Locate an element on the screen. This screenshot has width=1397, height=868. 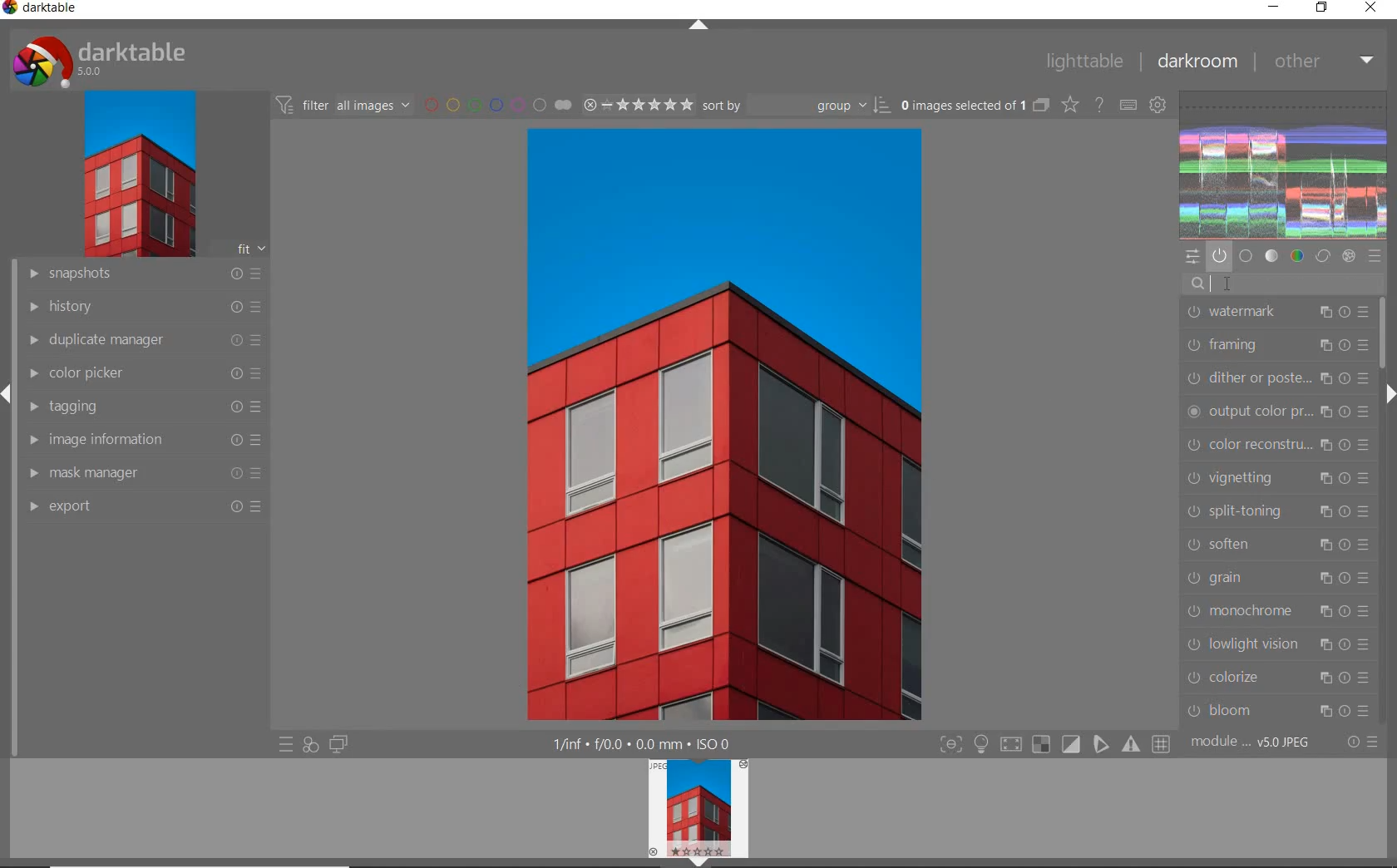
export is located at coordinates (144, 507).